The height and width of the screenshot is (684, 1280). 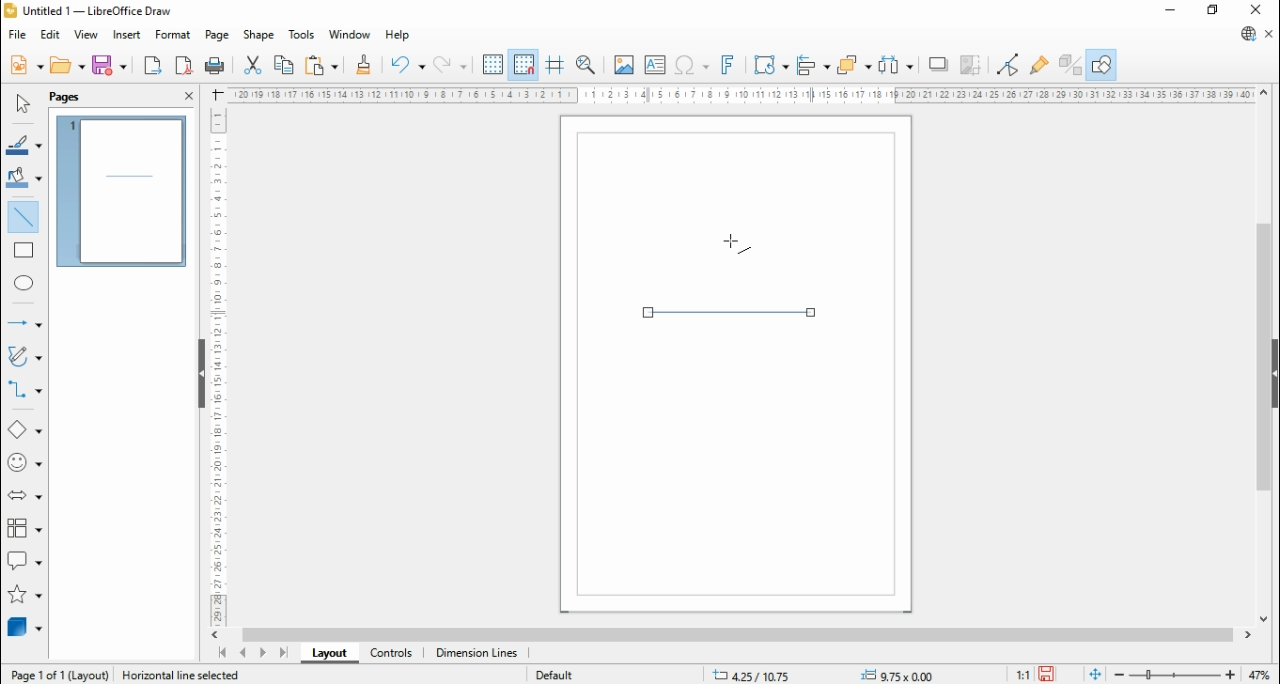 What do you see at coordinates (284, 652) in the screenshot?
I see `last page` at bounding box center [284, 652].